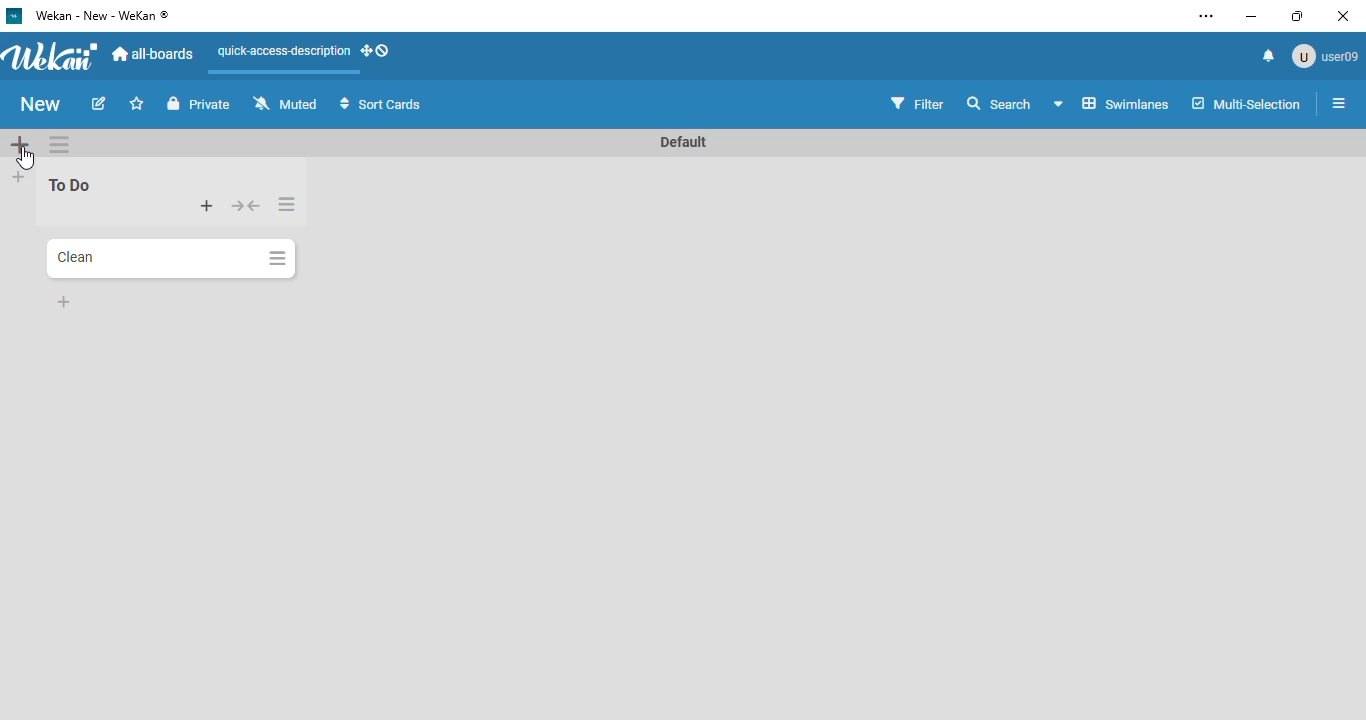  Describe the element at coordinates (15, 15) in the screenshot. I see `logo` at that location.